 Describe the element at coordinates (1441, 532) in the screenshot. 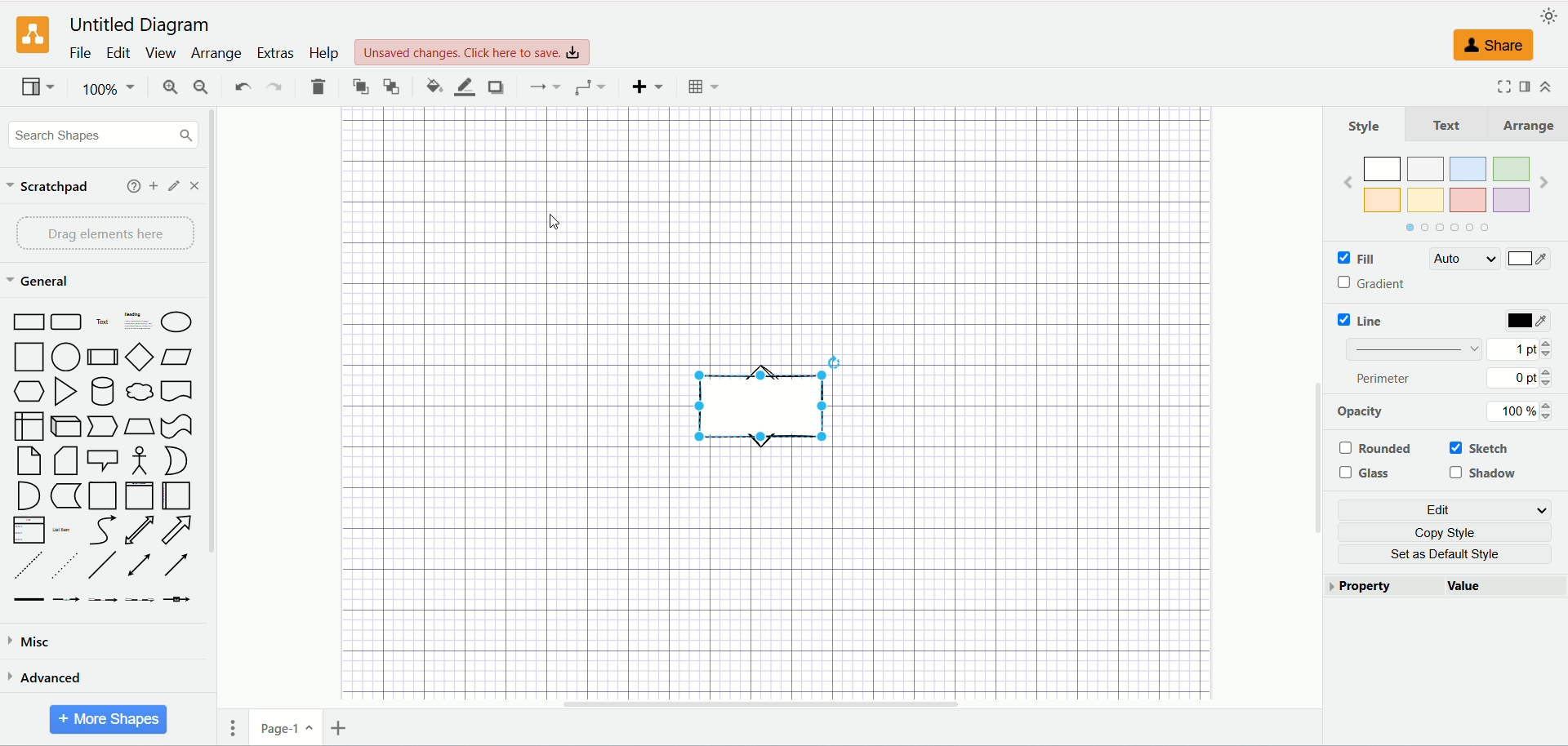

I see `copy style` at that location.